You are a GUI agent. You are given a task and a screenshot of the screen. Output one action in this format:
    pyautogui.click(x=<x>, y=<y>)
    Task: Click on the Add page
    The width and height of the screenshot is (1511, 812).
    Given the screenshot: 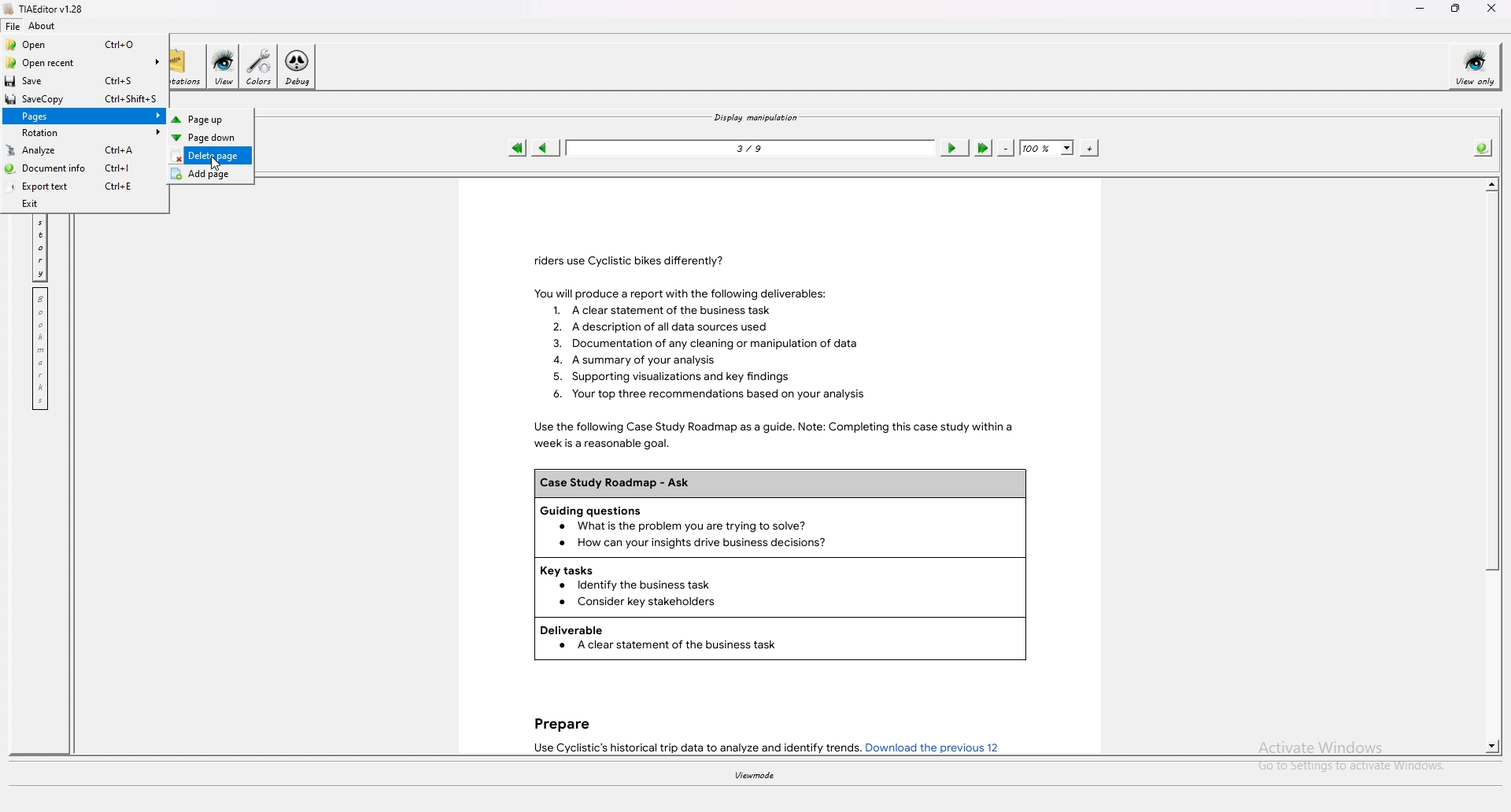 What is the action you would take?
    pyautogui.click(x=203, y=174)
    